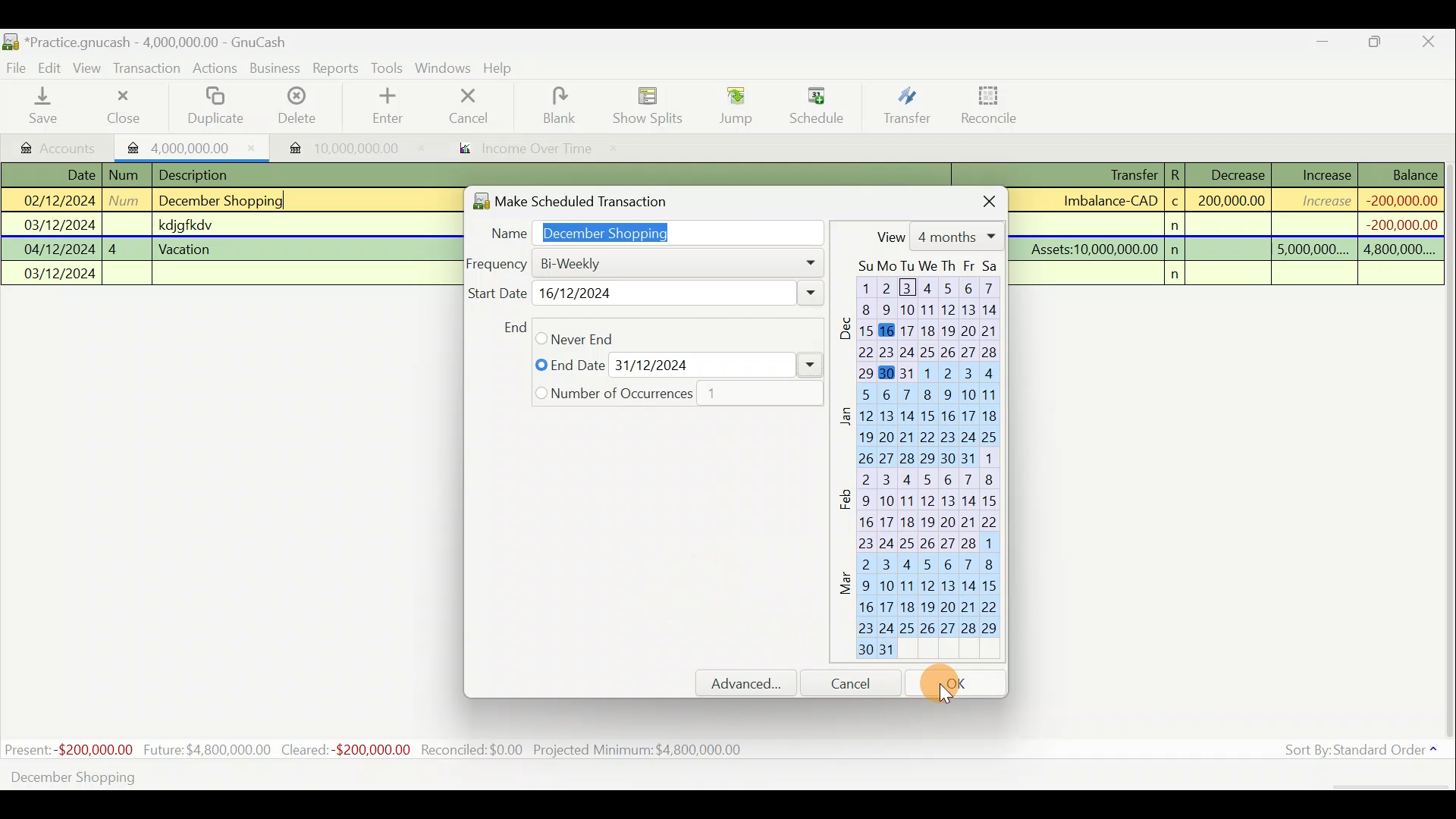 The height and width of the screenshot is (819, 1456). I want to click on Maximise, so click(1376, 44).